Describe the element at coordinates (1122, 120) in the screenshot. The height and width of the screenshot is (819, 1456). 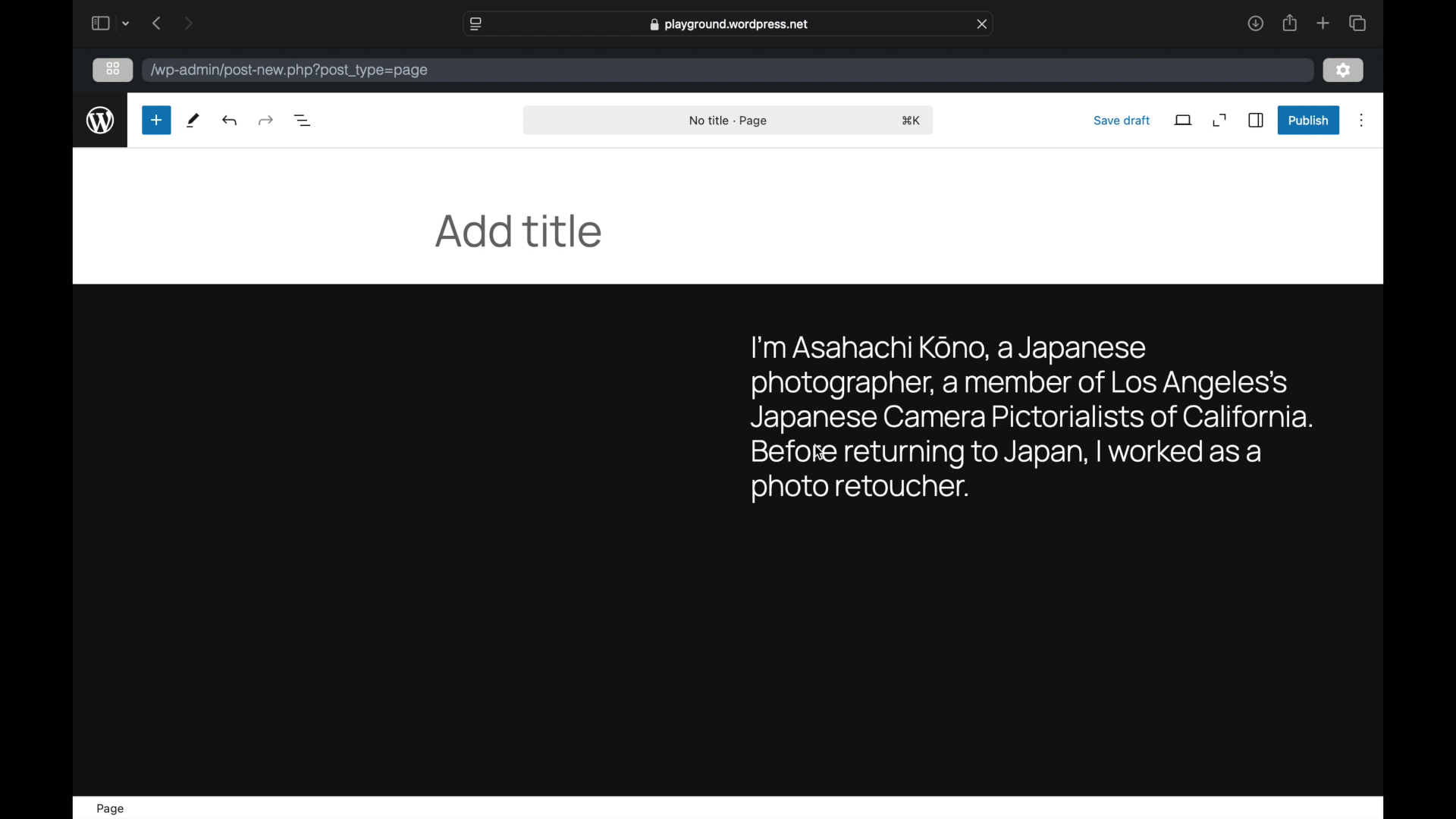
I see `save draft` at that location.